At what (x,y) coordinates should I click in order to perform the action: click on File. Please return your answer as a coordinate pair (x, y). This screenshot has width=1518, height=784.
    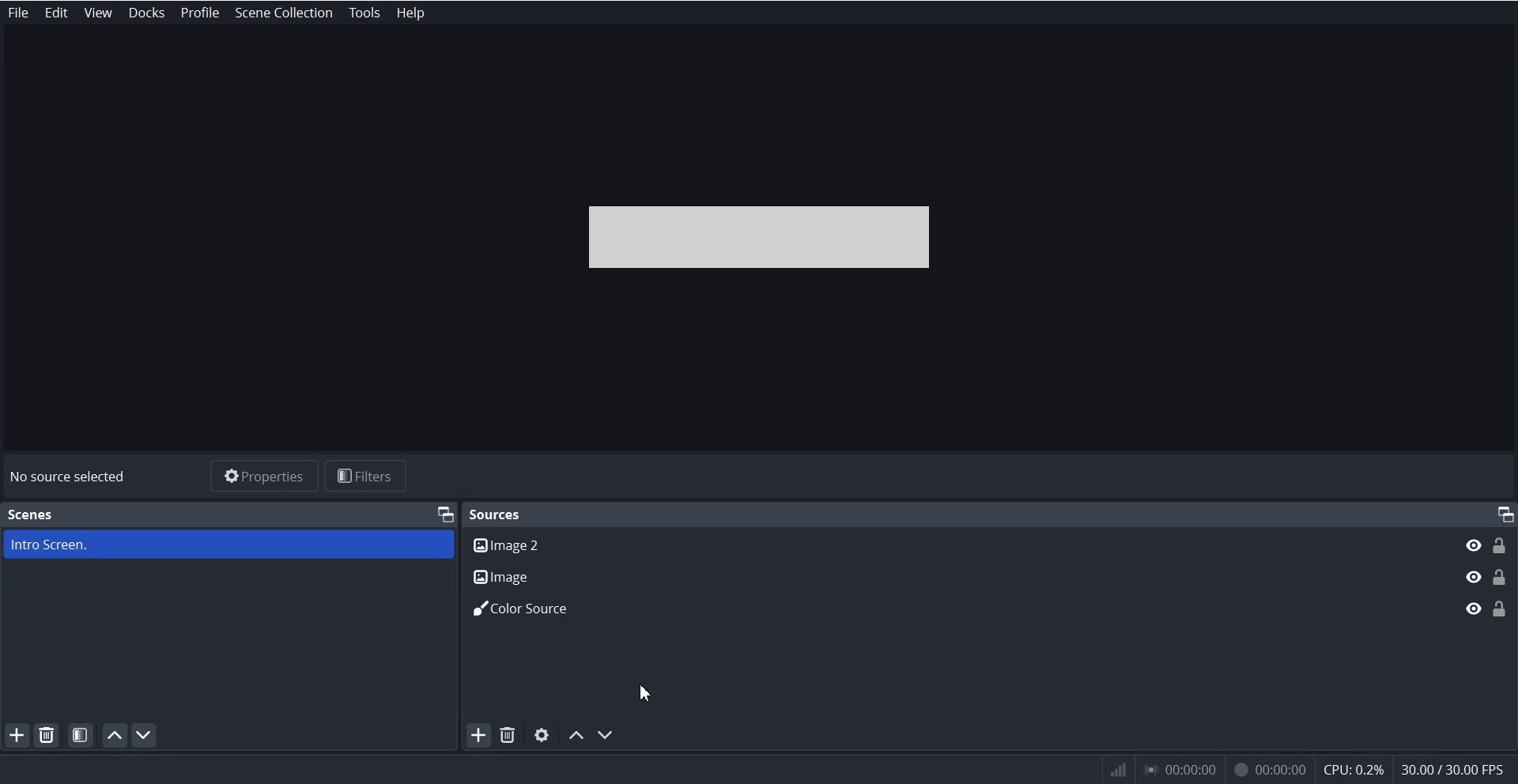
    Looking at the image, I should click on (19, 13).